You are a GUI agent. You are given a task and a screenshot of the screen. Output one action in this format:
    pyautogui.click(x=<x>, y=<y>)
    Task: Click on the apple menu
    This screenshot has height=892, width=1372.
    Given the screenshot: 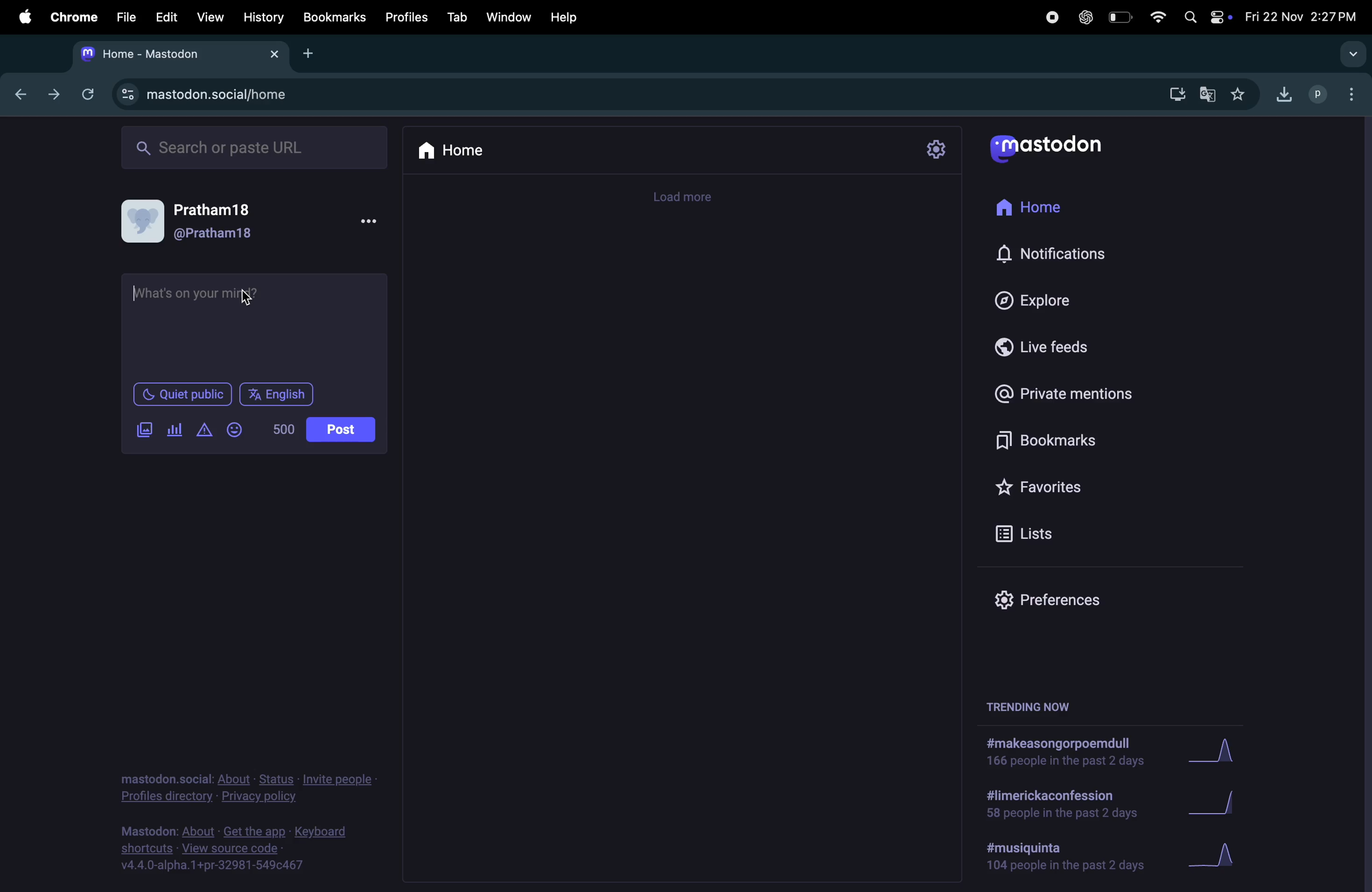 What is the action you would take?
    pyautogui.click(x=20, y=16)
    